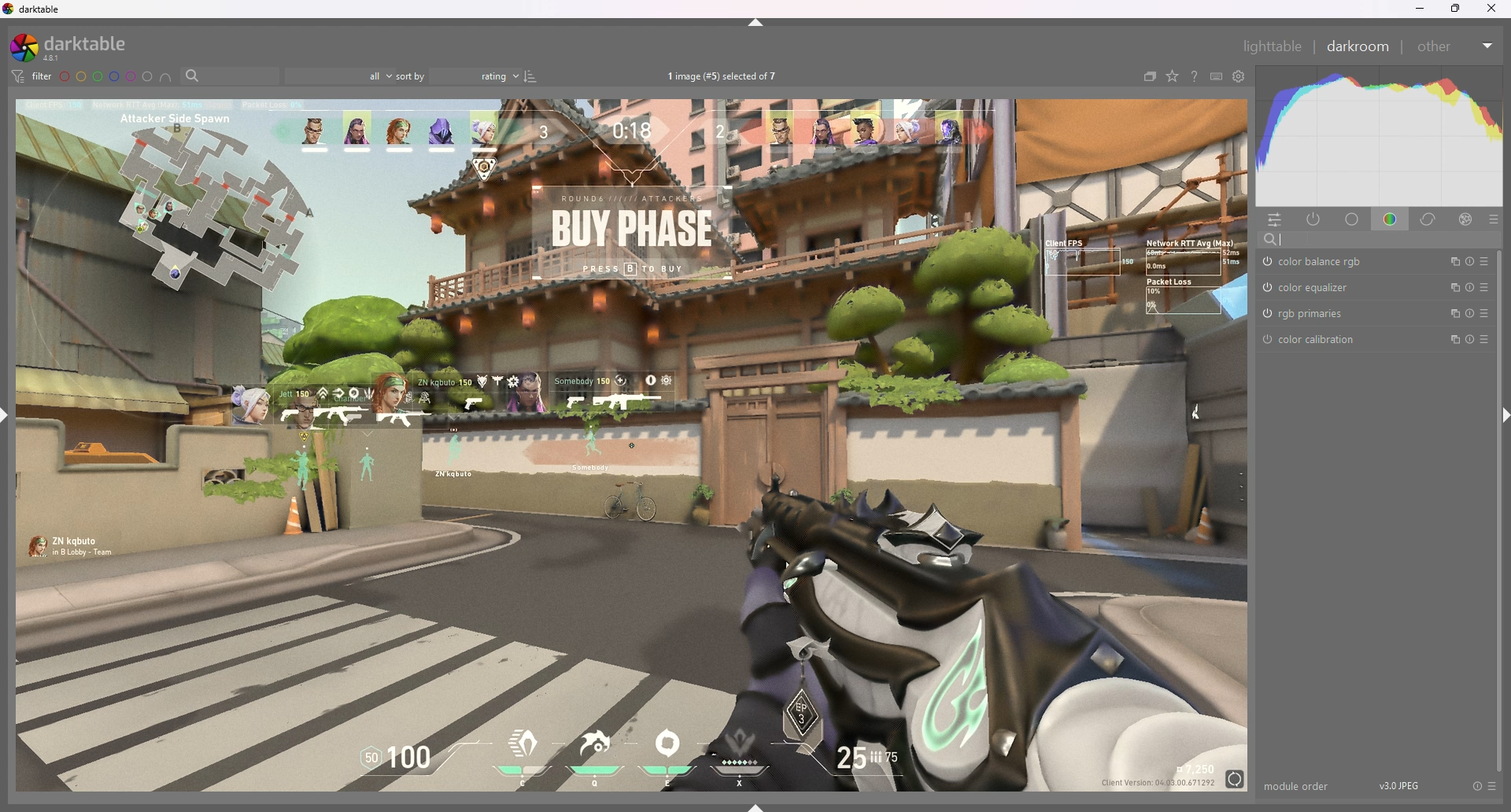 Image resolution: width=1511 pixels, height=812 pixels. Describe the element at coordinates (1450, 262) in the screenshot. I see `multiple instances action` at that location.